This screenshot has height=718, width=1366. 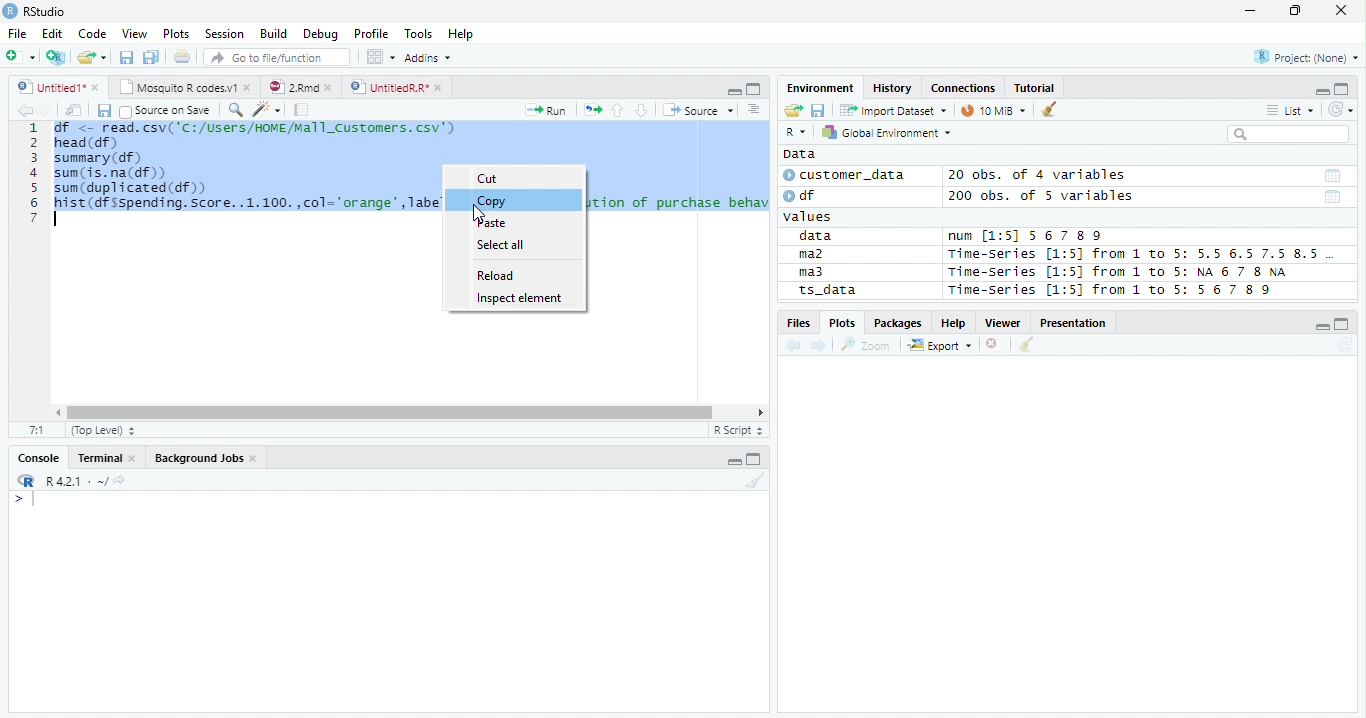 What do you see at coordinates (1323, 328) in the screenshot?
I see `Minimize` at bounding box center [1323, 328].